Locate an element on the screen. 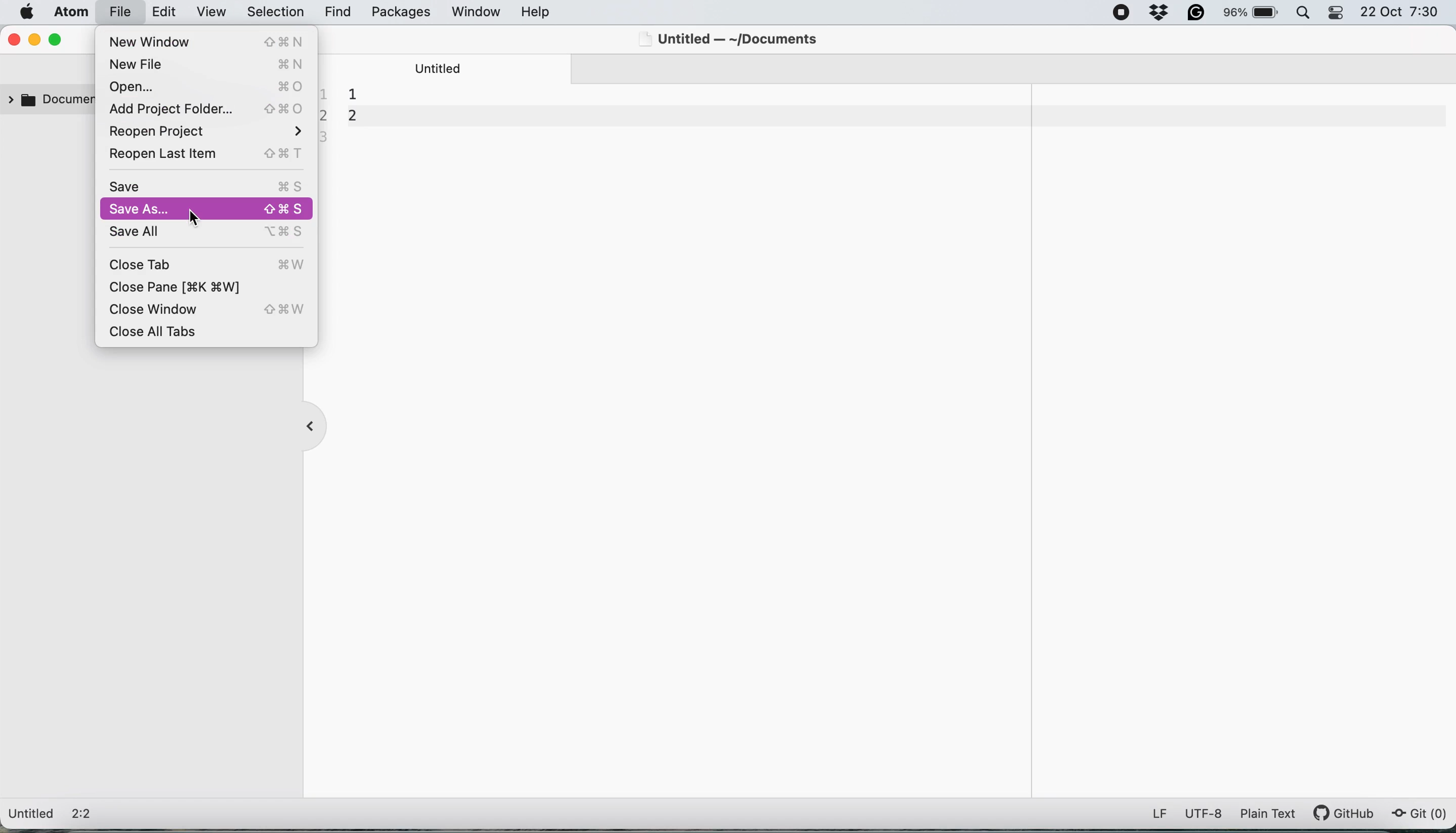  Save As... is located at coordinates (206, 210).